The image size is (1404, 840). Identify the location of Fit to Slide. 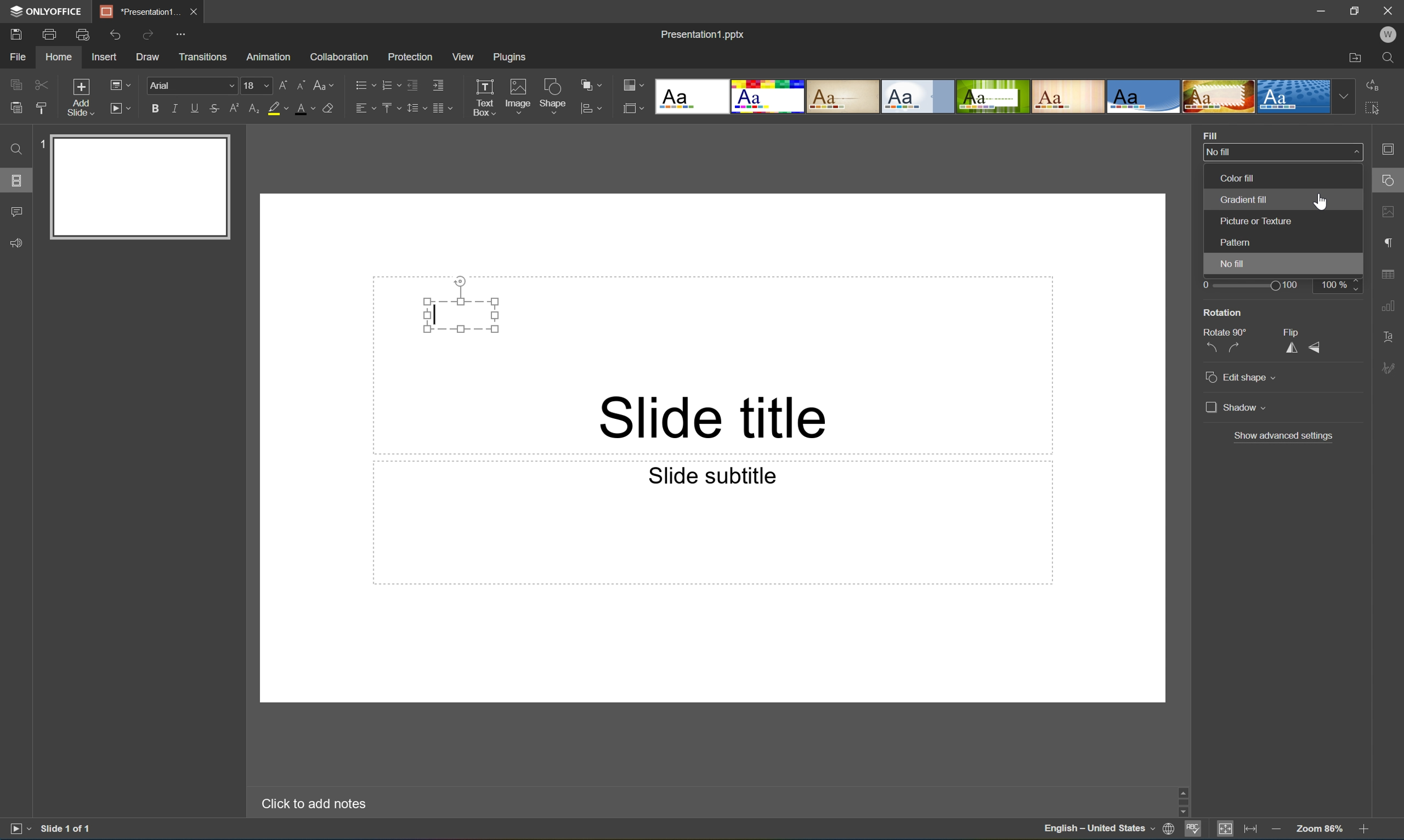
(1228, 829).